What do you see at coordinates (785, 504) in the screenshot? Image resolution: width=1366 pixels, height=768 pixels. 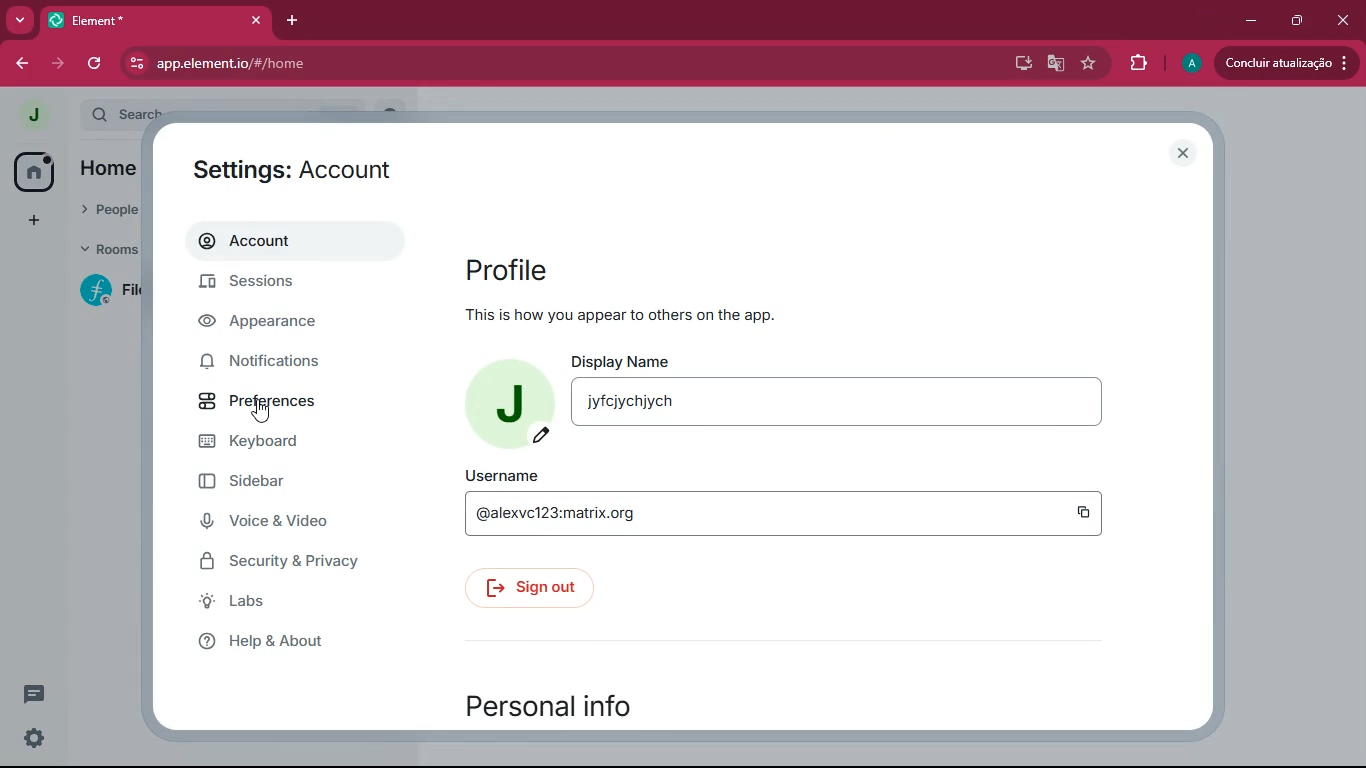 I see `username @alexvc123:matrix.org` at bounding box center [785, 504].